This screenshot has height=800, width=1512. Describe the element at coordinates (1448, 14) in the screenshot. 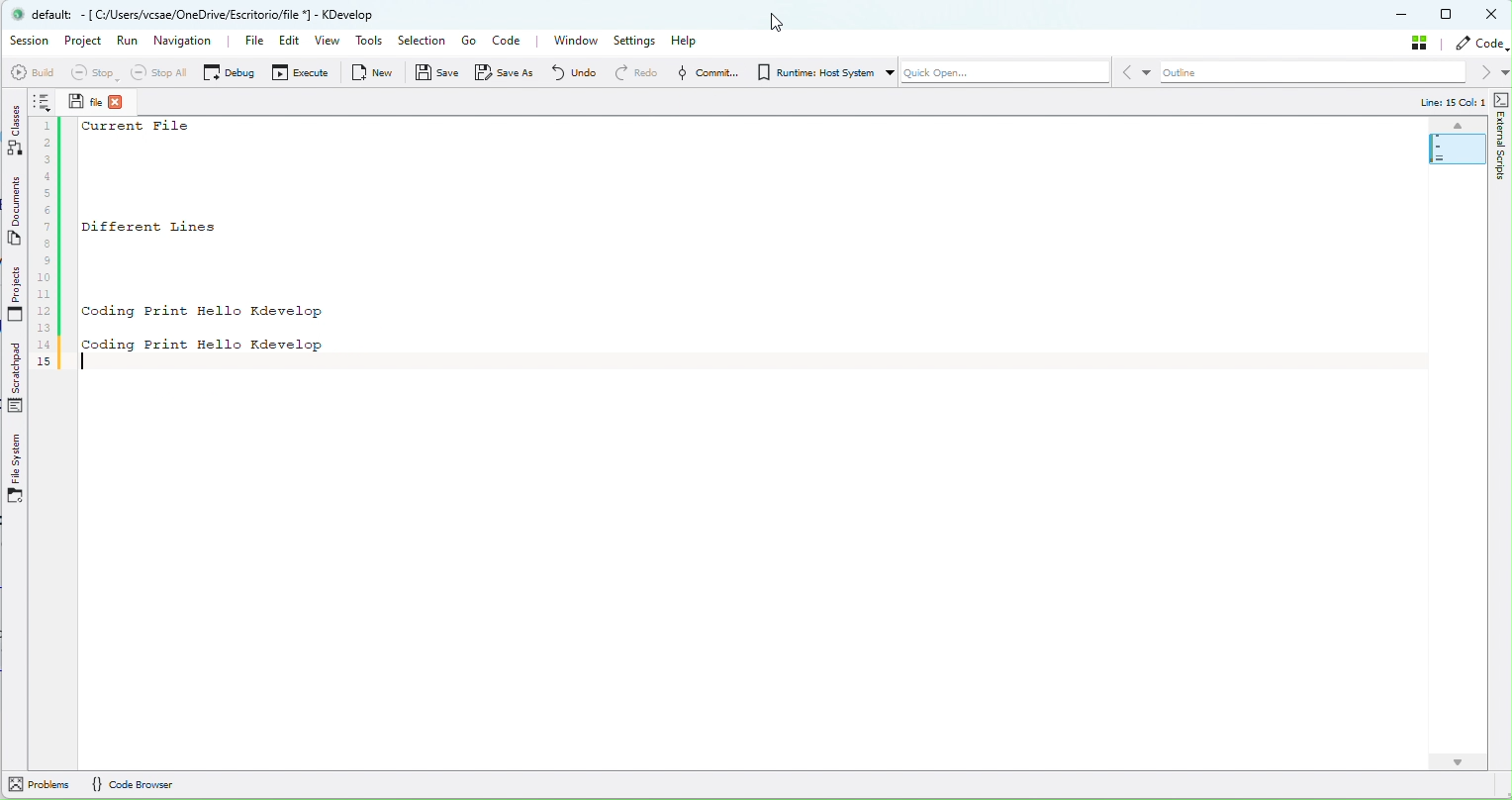

I see `Maximize` at that location.